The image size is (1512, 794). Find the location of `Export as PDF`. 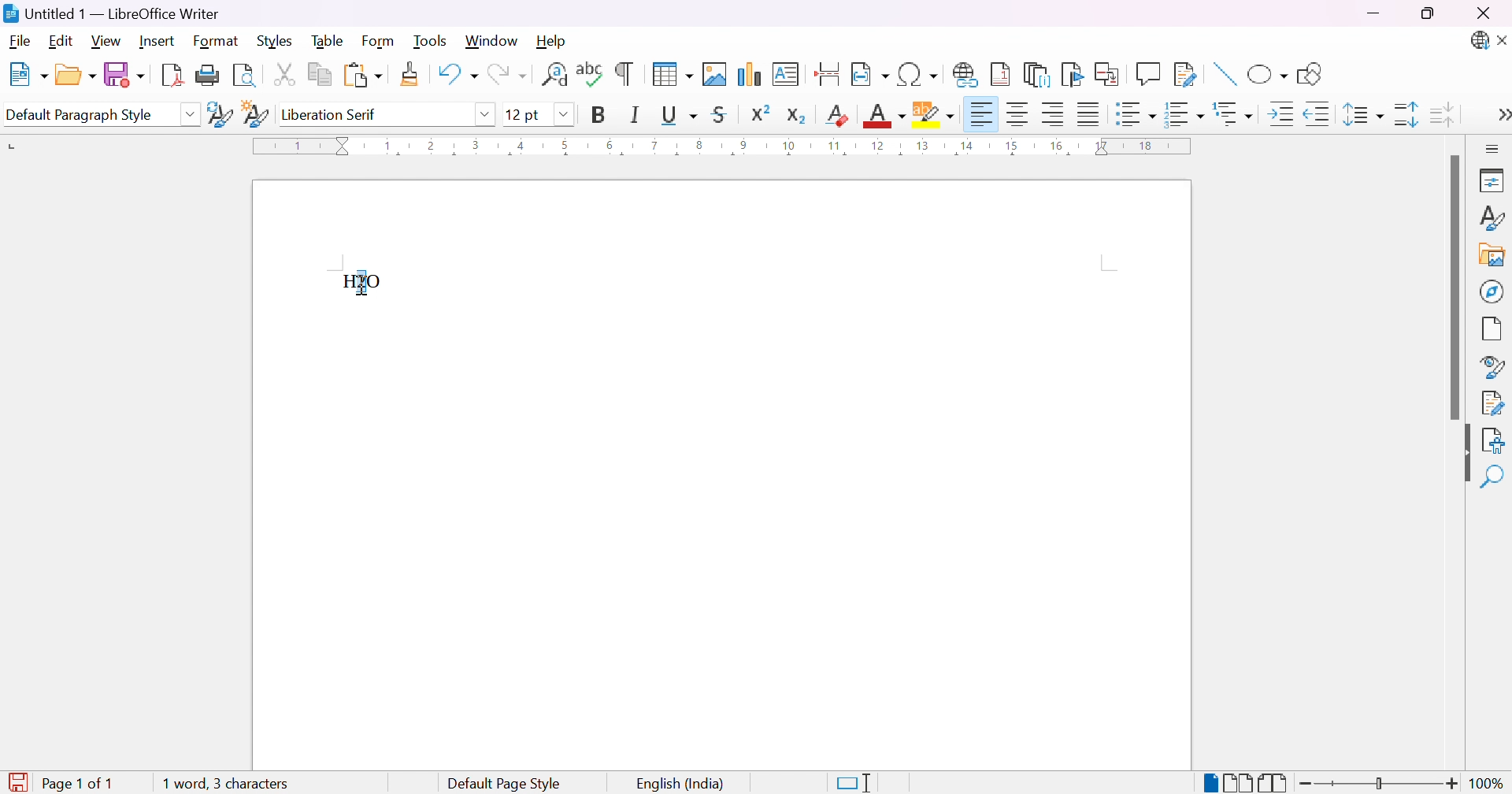

Export as PDF is located at coordinates (171, 74).